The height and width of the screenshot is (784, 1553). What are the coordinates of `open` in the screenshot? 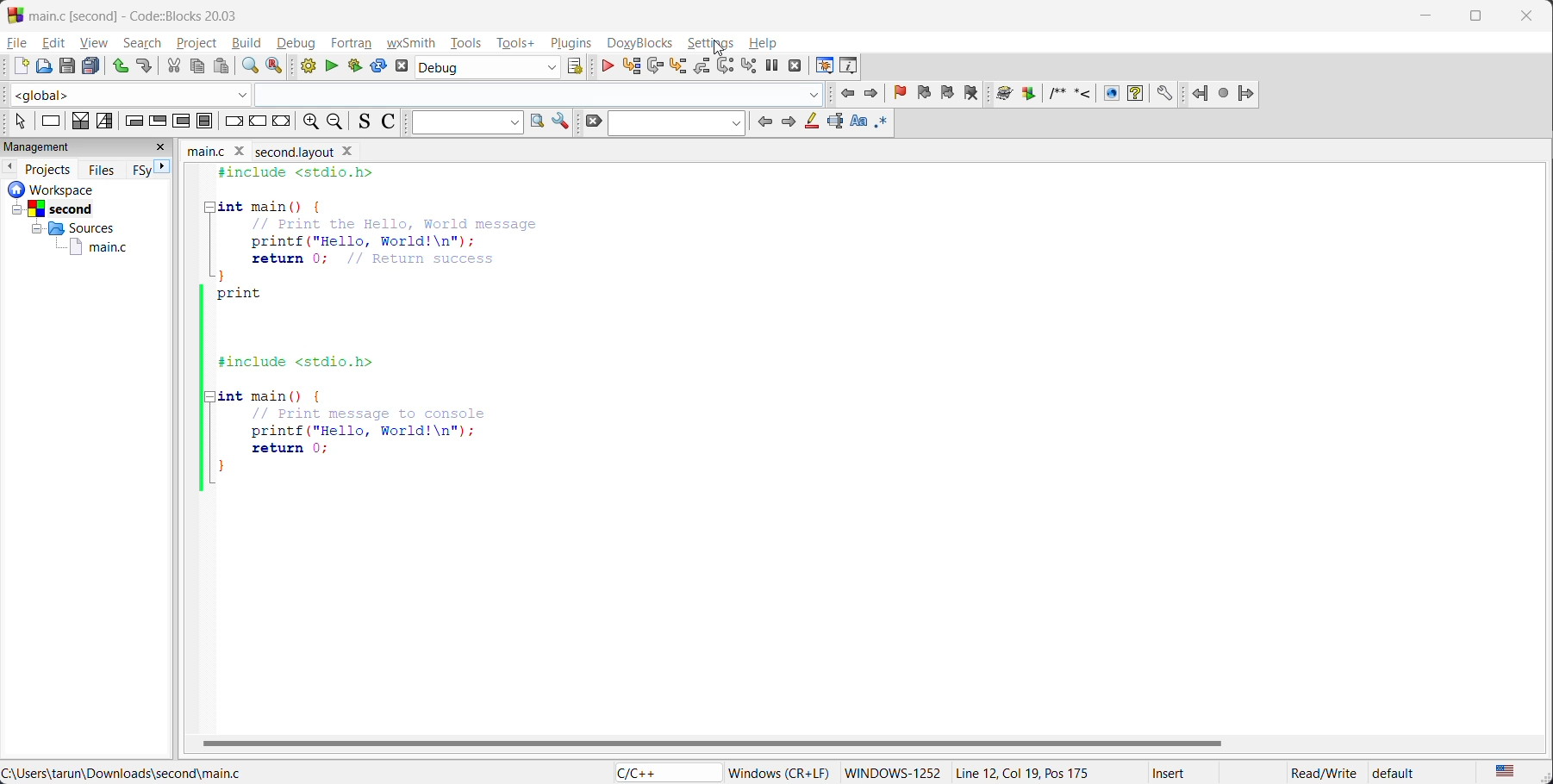 It's located at (47, 65).